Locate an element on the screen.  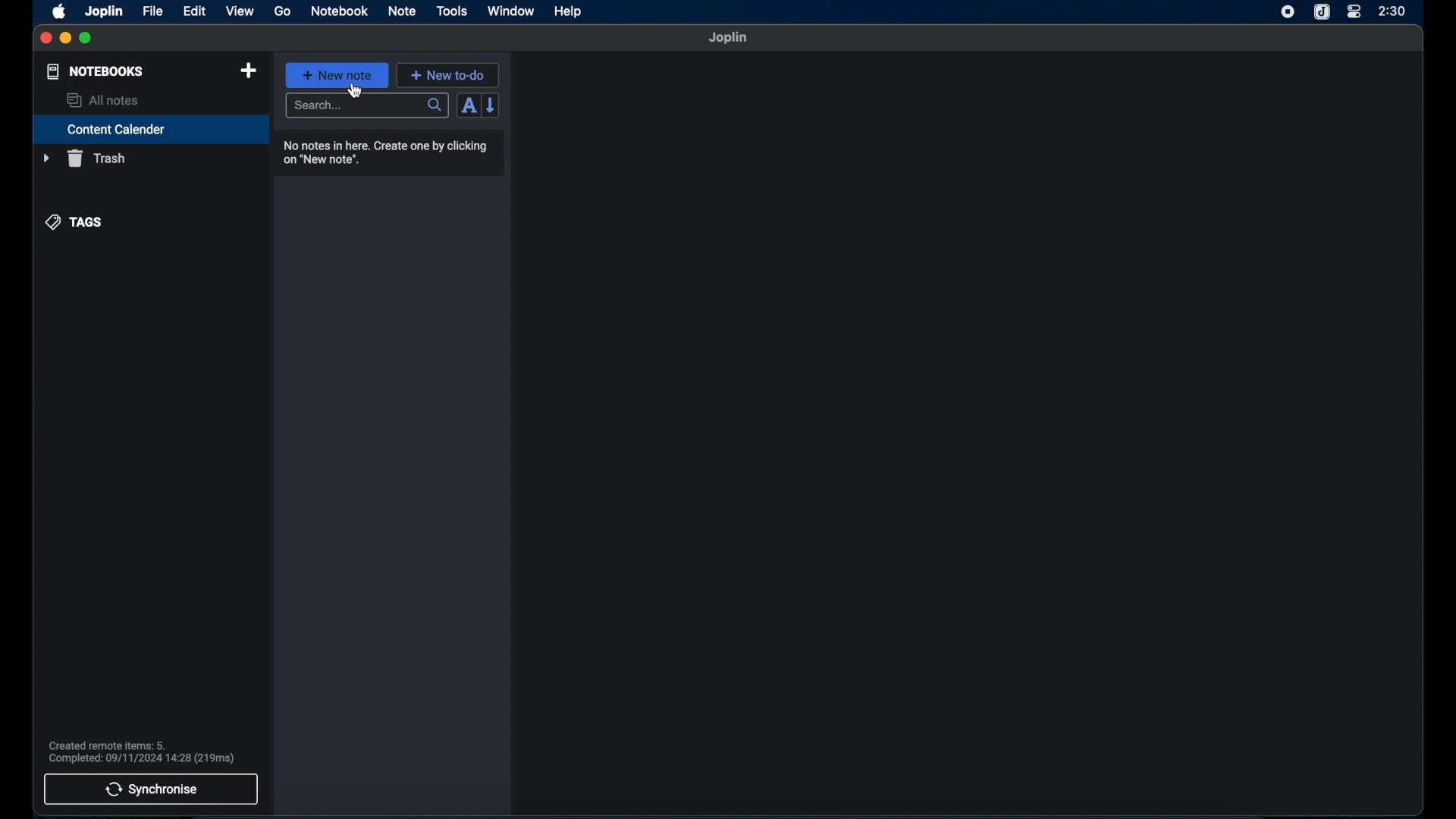
cursor is located at coordinates (354, 89).